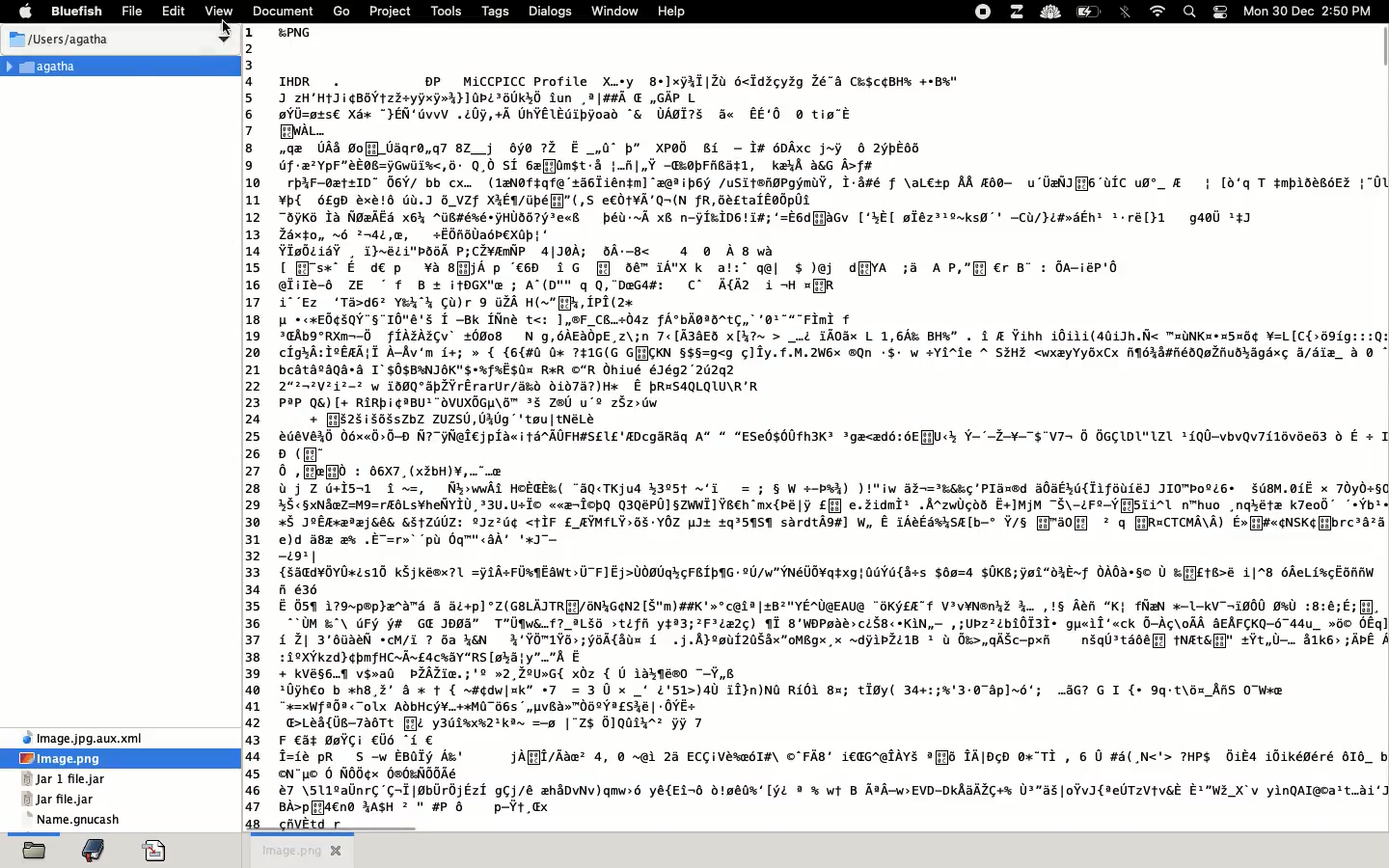 Image resolution: width=1389 pixels, height=868 pixels. Describe the element at coordinates (121, 41) in the screenshot. I see `users Agatha` at that location.